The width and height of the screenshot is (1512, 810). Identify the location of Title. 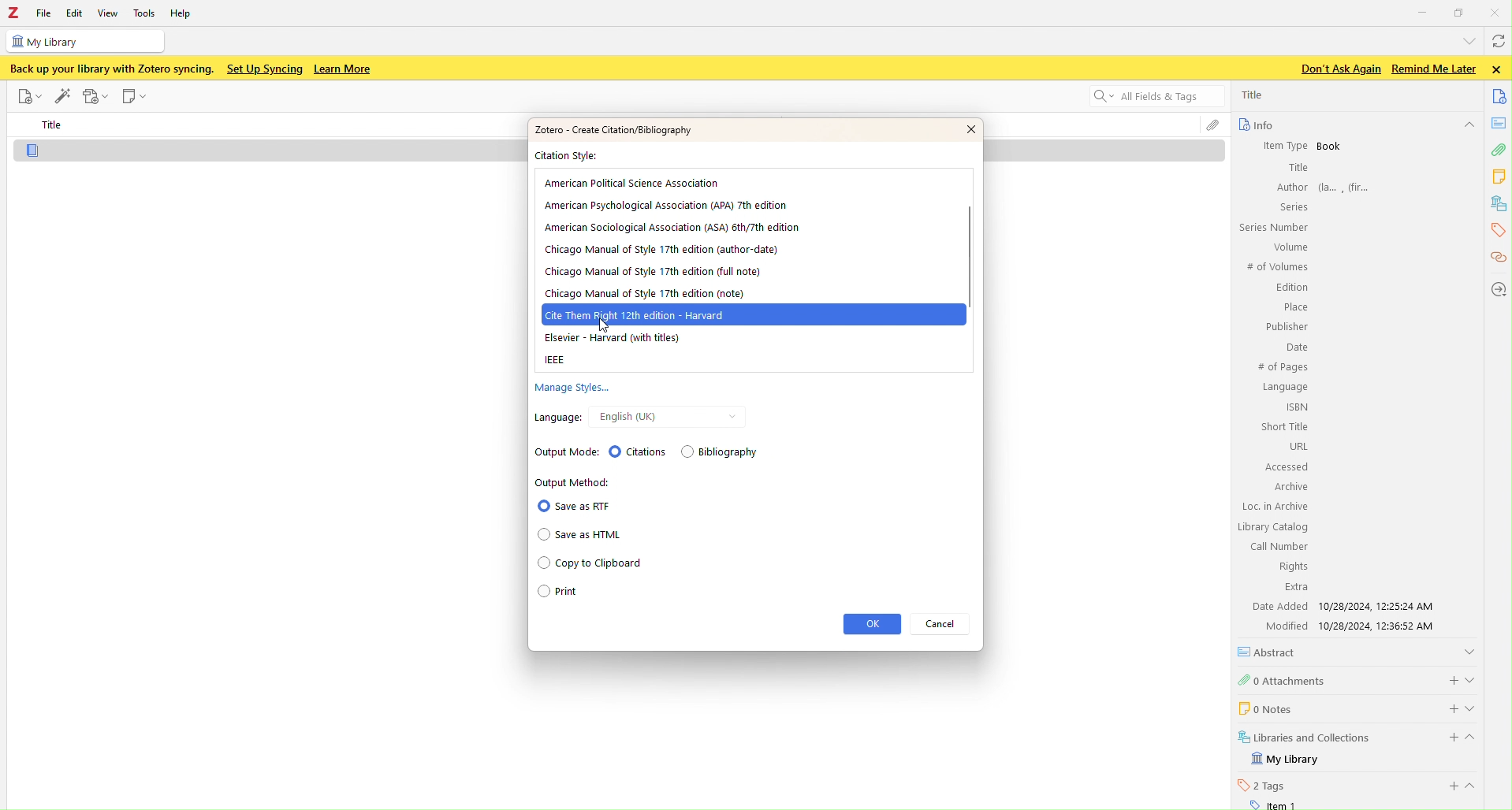
(1297, 168).